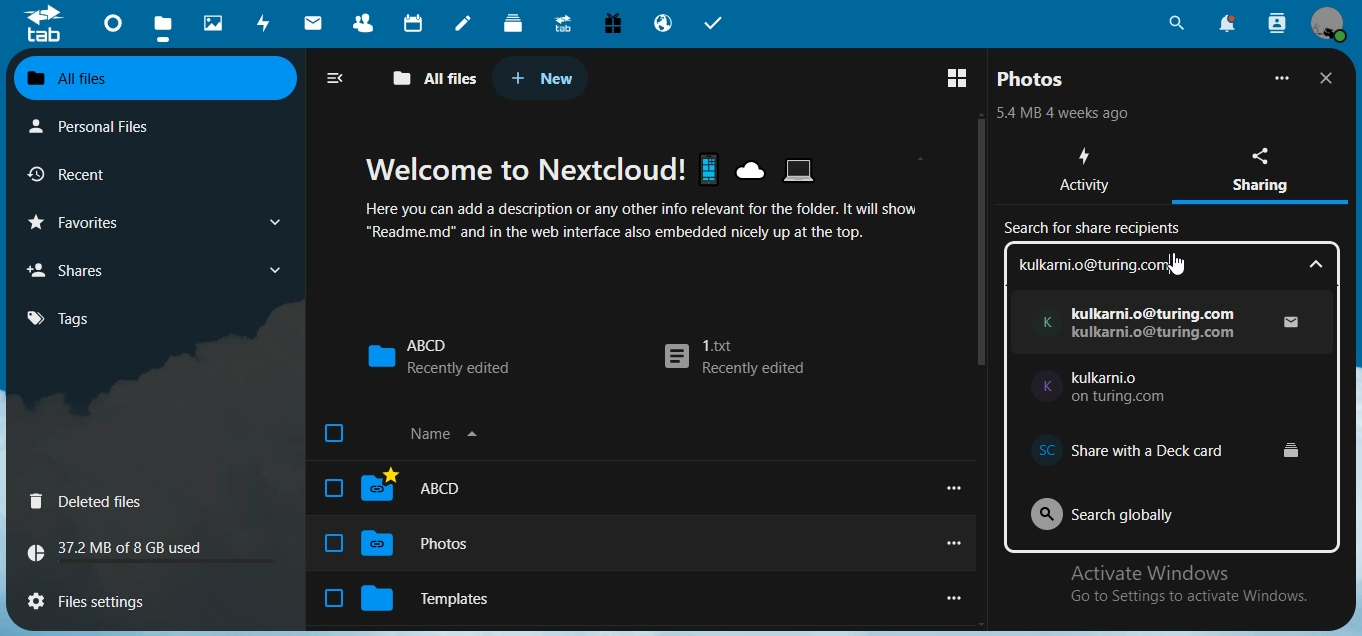 The height and width of the screenshot is (636, 1362). Describe the element at coordinates (1174, 24) in the screenshot. I see `search` at that location.